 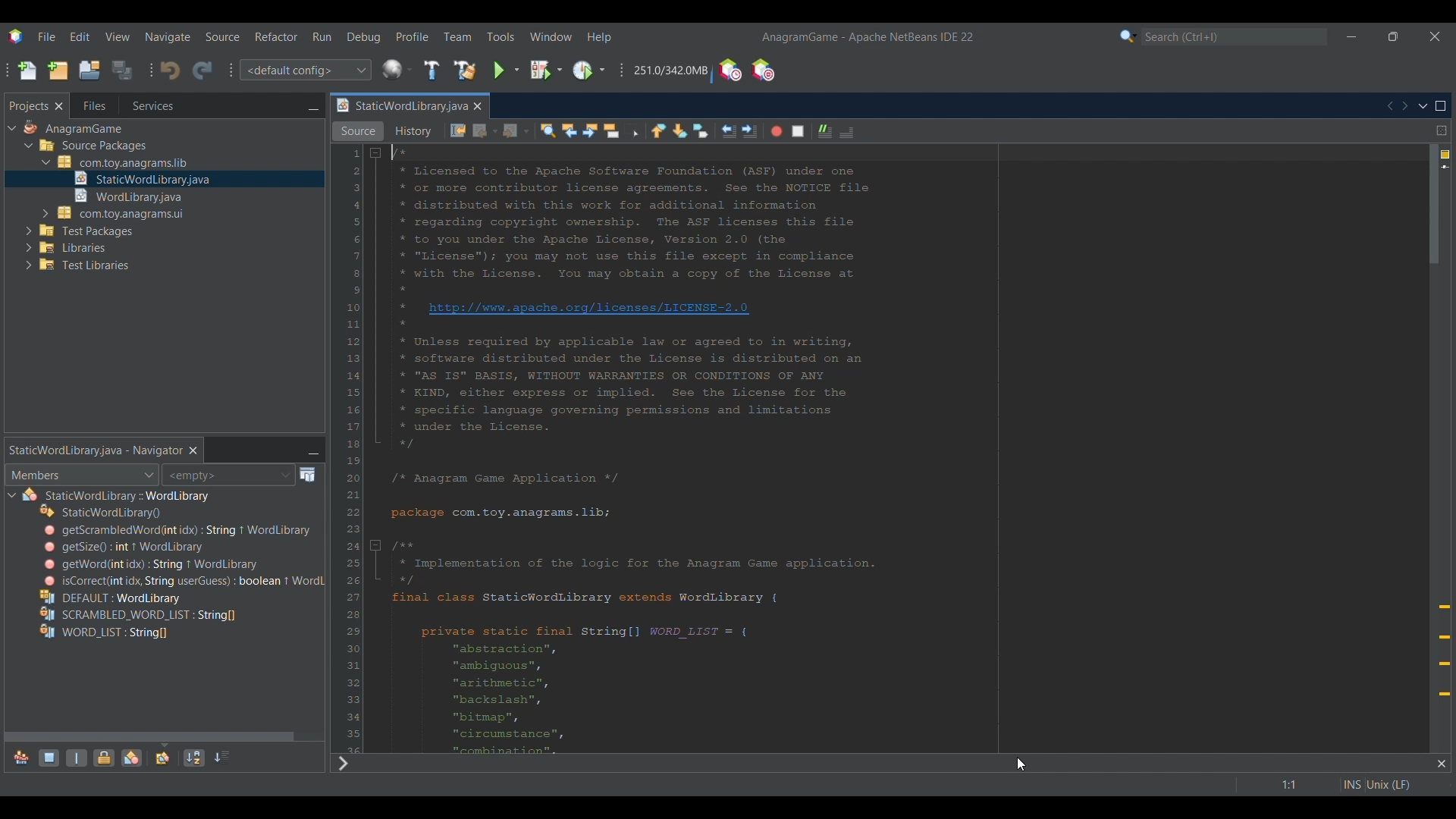 What do you see at coordinates (659, 131) in the screenshot?
I see `Previous bookmark` at bounding box center [659, 131].